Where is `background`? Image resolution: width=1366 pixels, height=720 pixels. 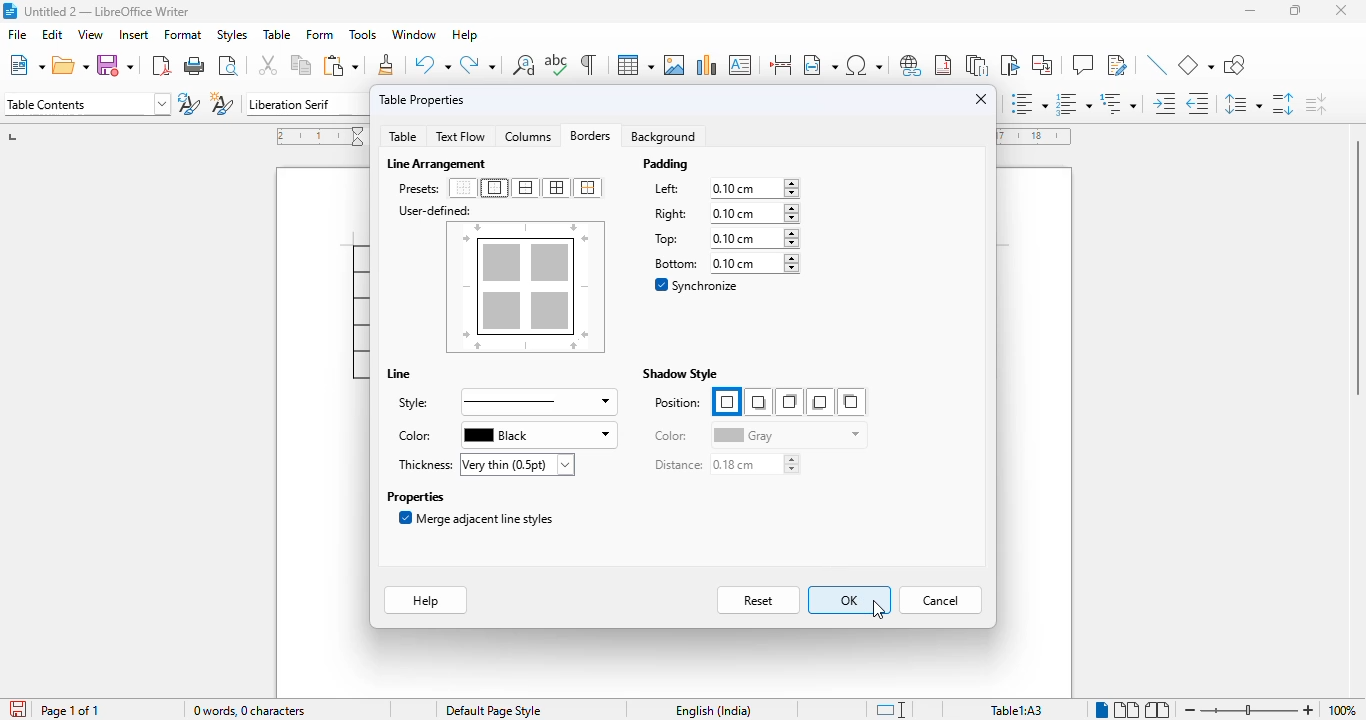
background is located at coordinates (666, 136).